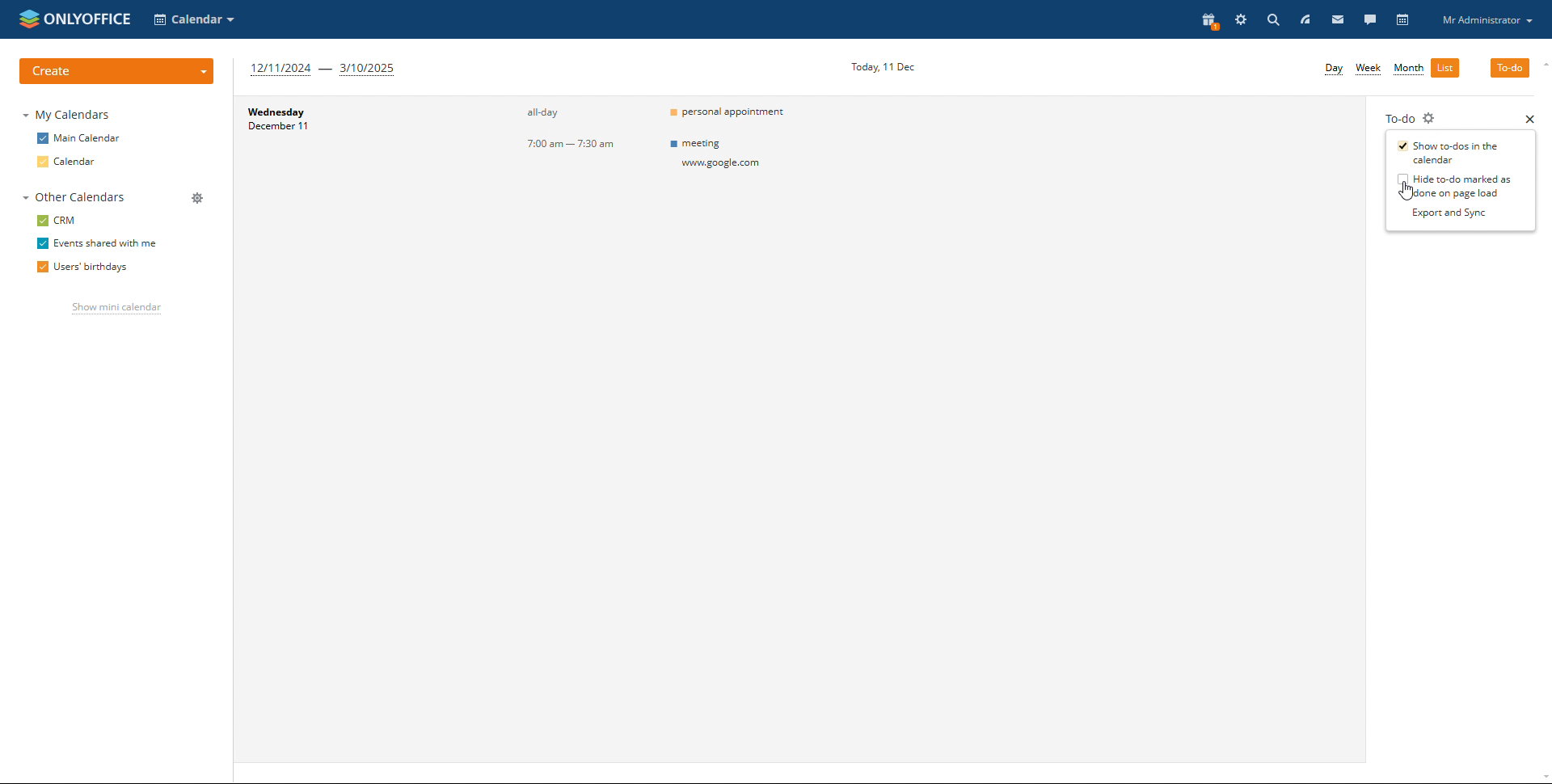 This screenshot has height=784, width=1552. I want to click on event timings, so click(582, 130).